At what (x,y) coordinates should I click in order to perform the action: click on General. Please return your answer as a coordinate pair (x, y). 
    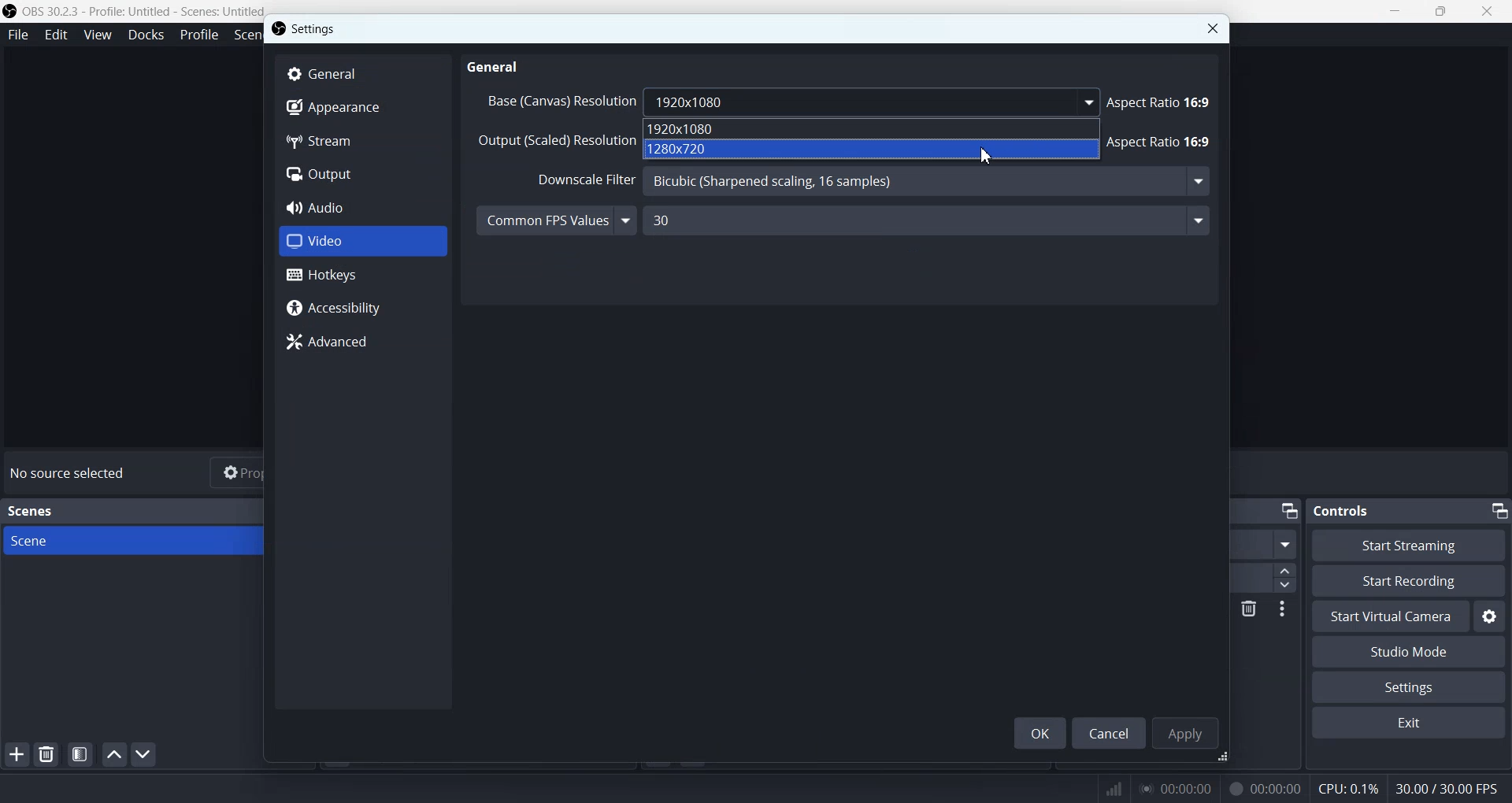
    Looking at the image, I should click on (495, 68).